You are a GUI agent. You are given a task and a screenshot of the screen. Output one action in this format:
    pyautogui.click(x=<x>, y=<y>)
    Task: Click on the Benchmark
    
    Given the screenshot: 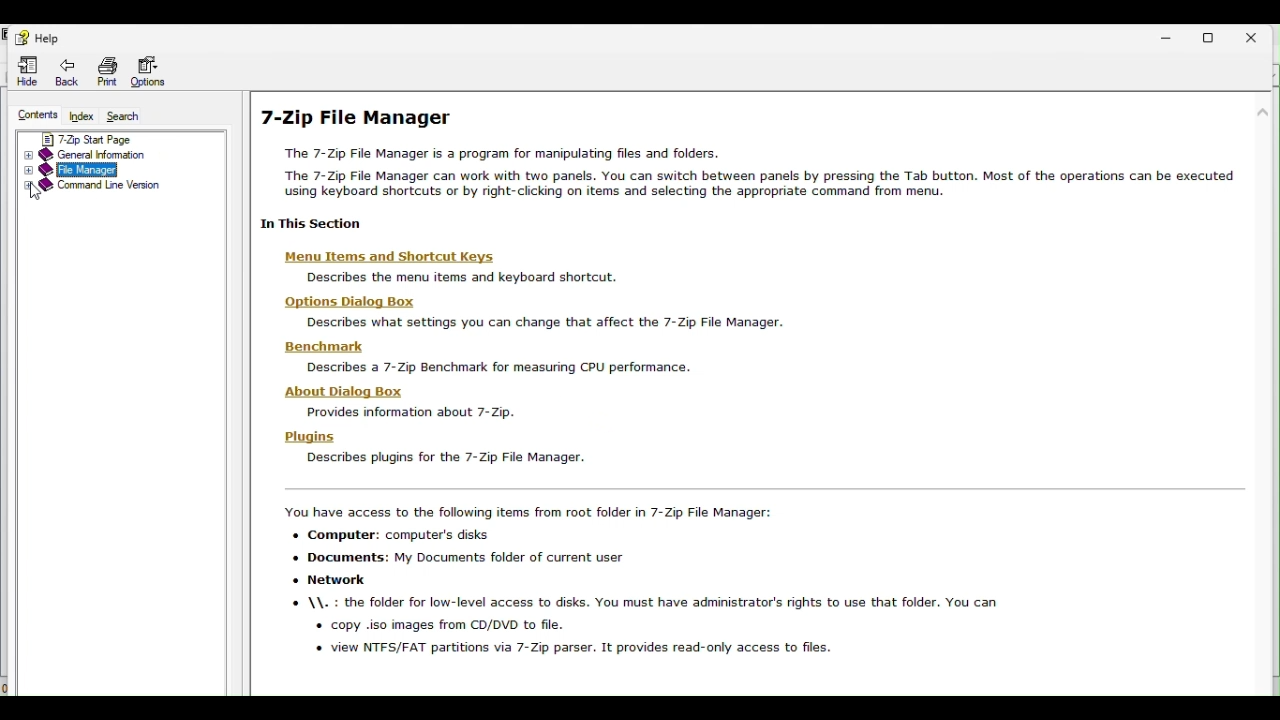 What is the action you would take?
    pyautogui.click(x=330, y=346)
    